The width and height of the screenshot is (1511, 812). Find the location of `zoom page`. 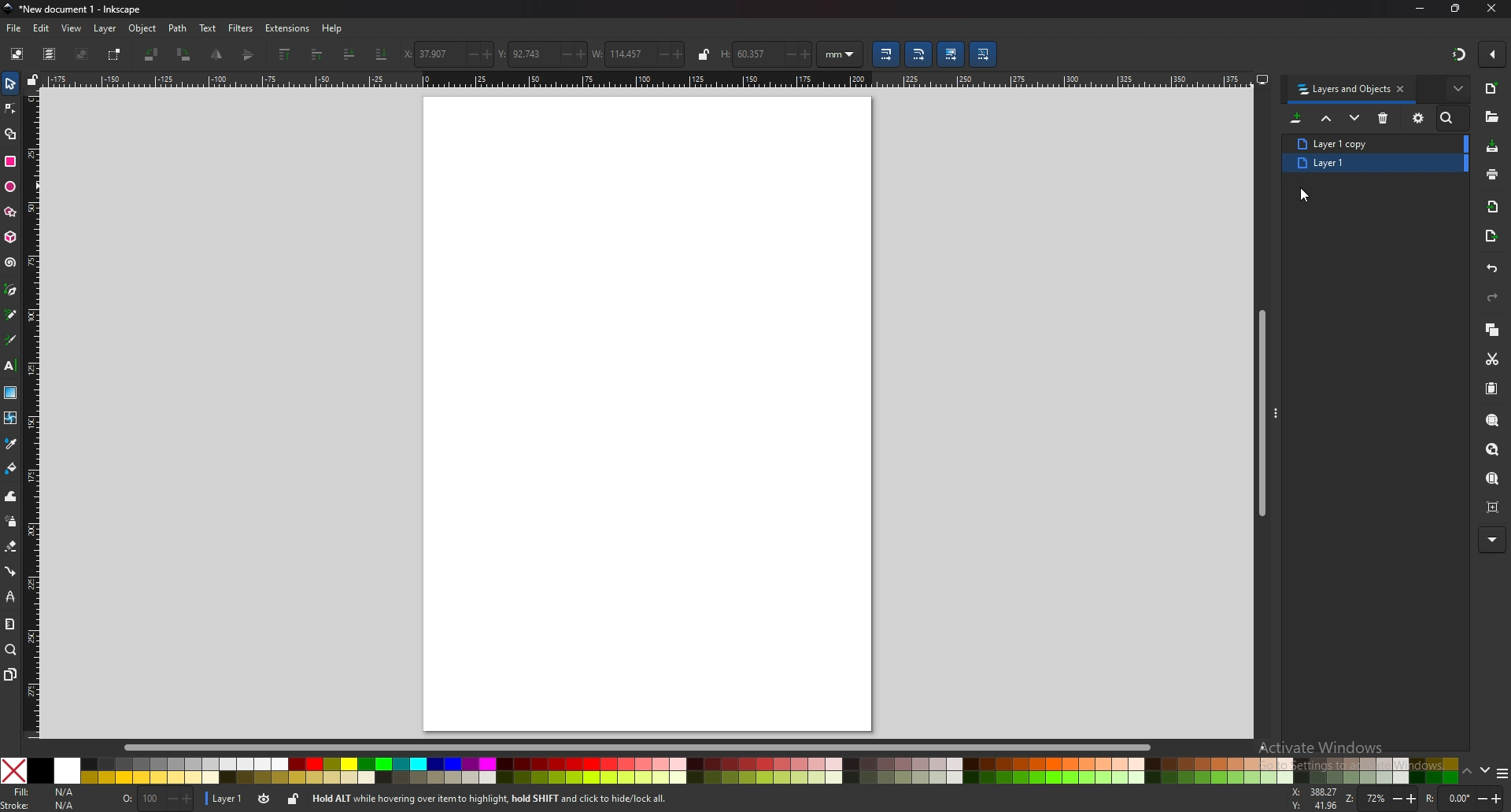

zoom page is located at coordinates (1491, 478).